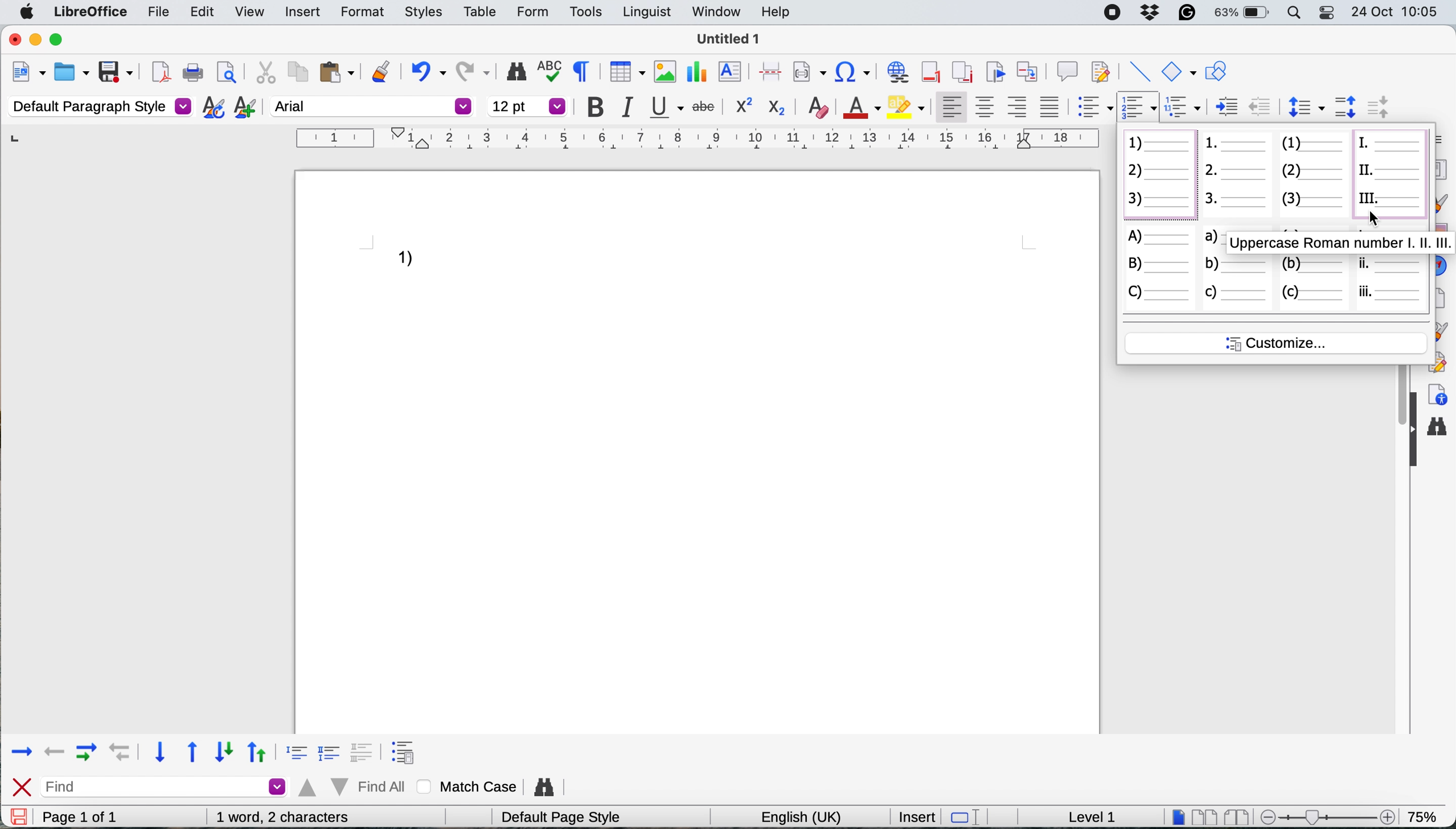 The image size is (1456, 829). I want to click on forward, so click(21, 750).